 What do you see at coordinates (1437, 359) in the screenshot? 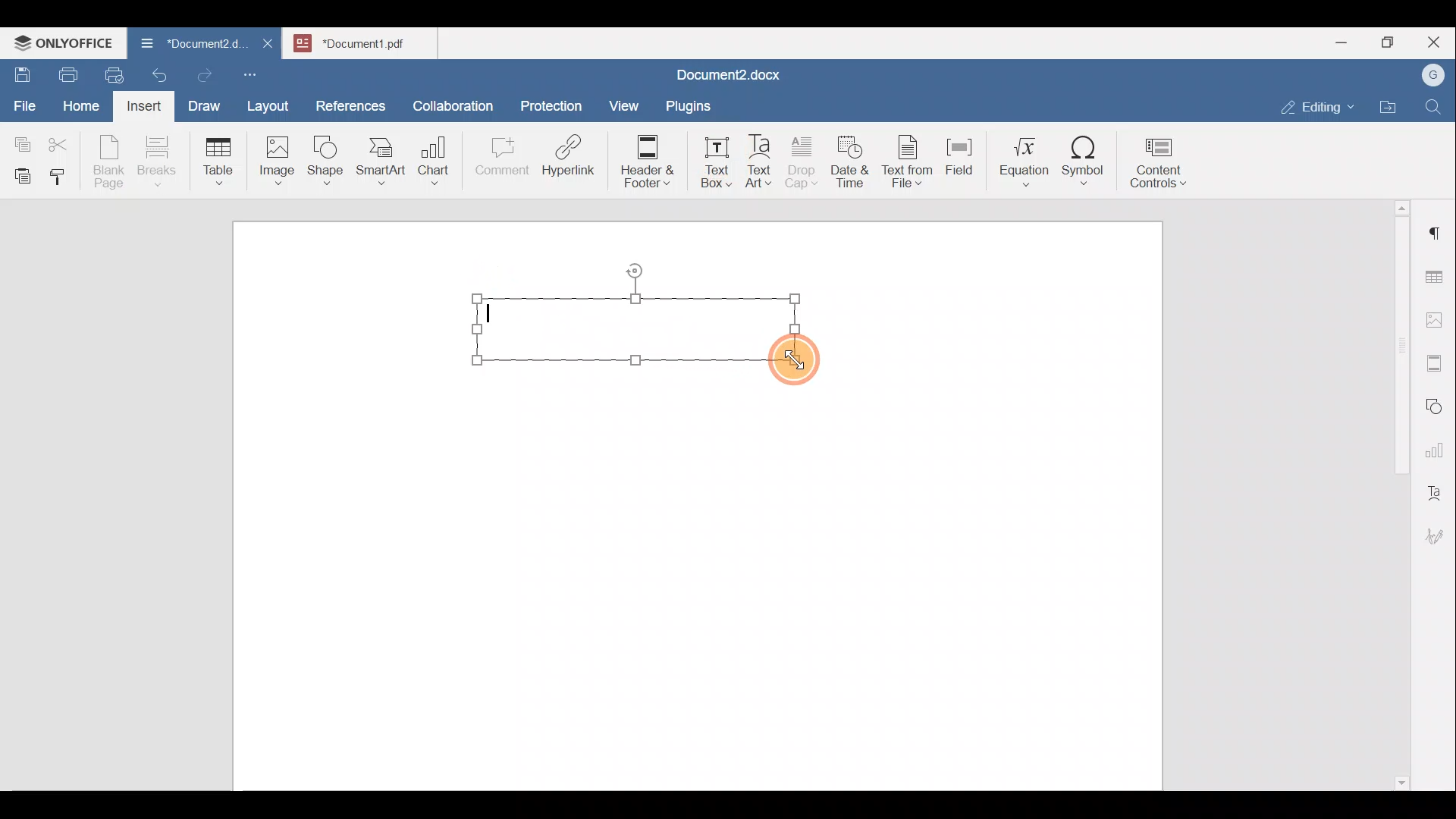
I see `Headers & footers` at bounding box center [1437, 359].